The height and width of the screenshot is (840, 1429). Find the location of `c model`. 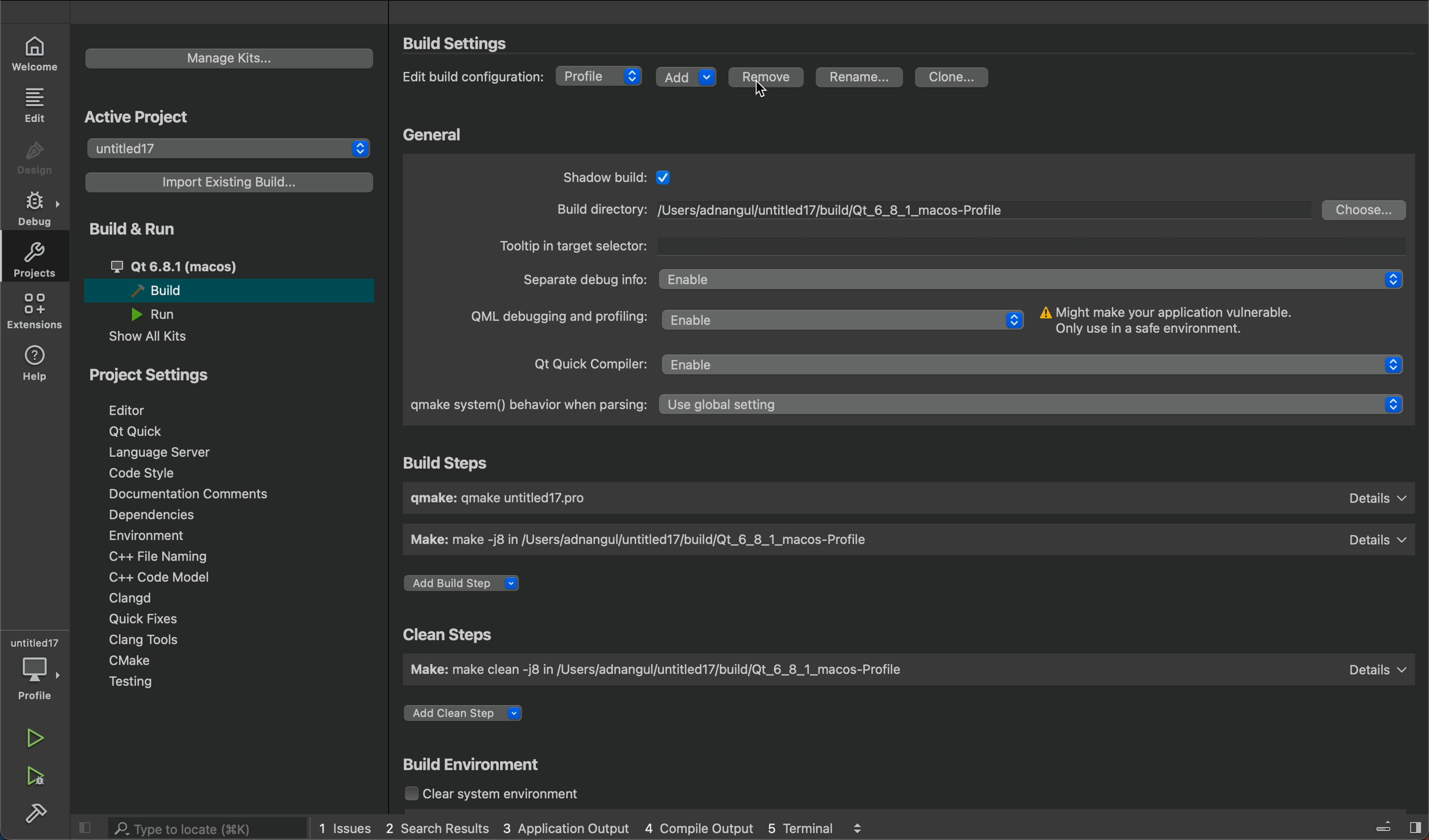

c model is located at coordinates (158, 577).